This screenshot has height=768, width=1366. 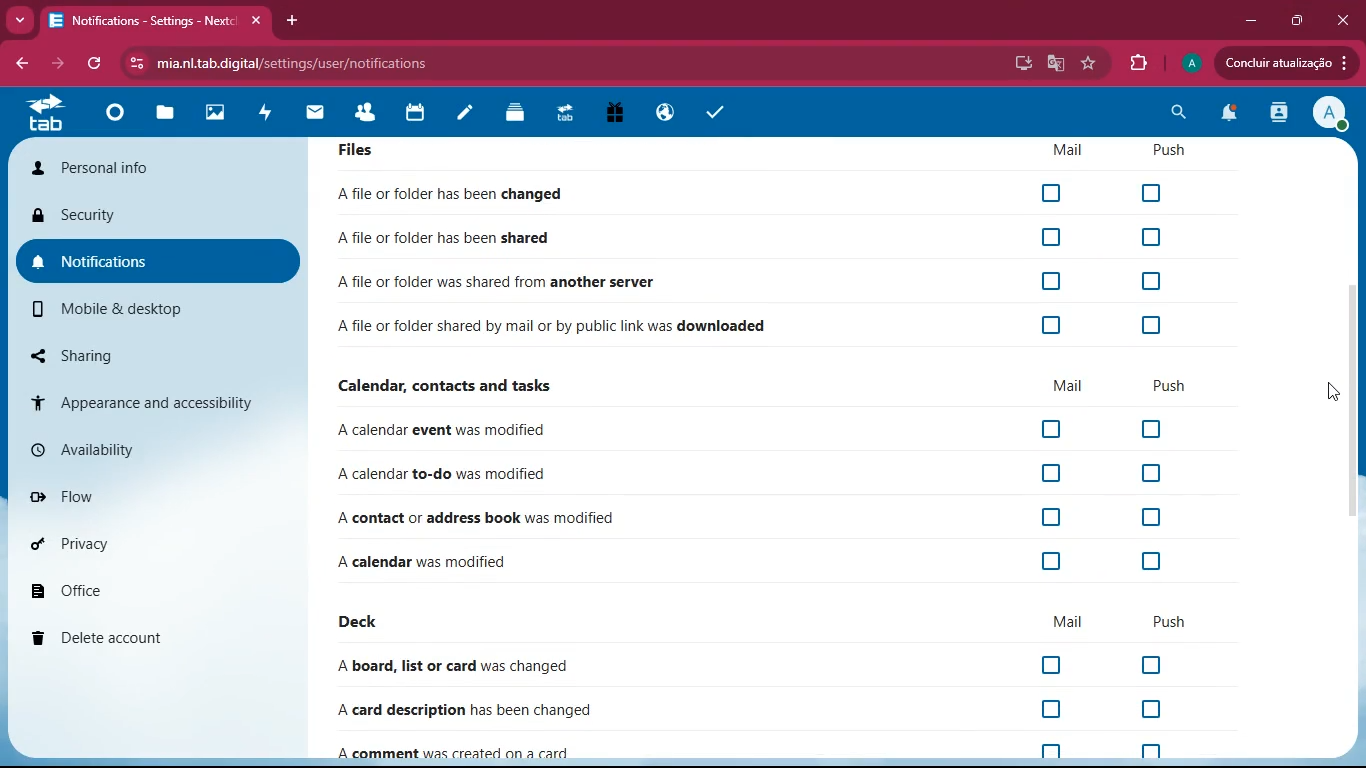 I want to click on file changed, so click(x=454, y=560).